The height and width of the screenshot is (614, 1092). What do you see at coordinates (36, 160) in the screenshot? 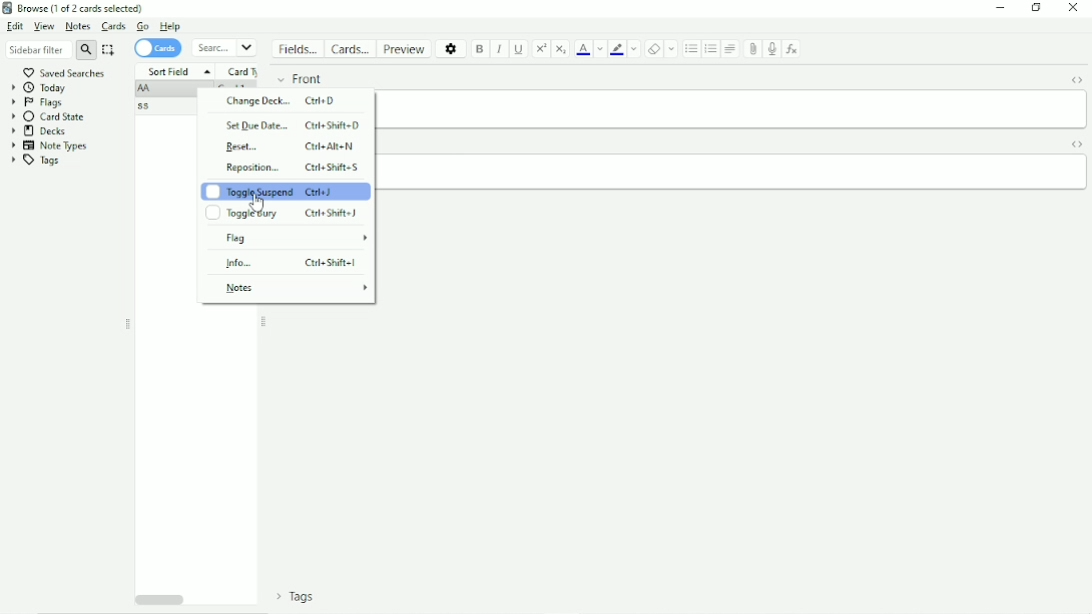
I see `Tags` at bounding box center [36, 160].